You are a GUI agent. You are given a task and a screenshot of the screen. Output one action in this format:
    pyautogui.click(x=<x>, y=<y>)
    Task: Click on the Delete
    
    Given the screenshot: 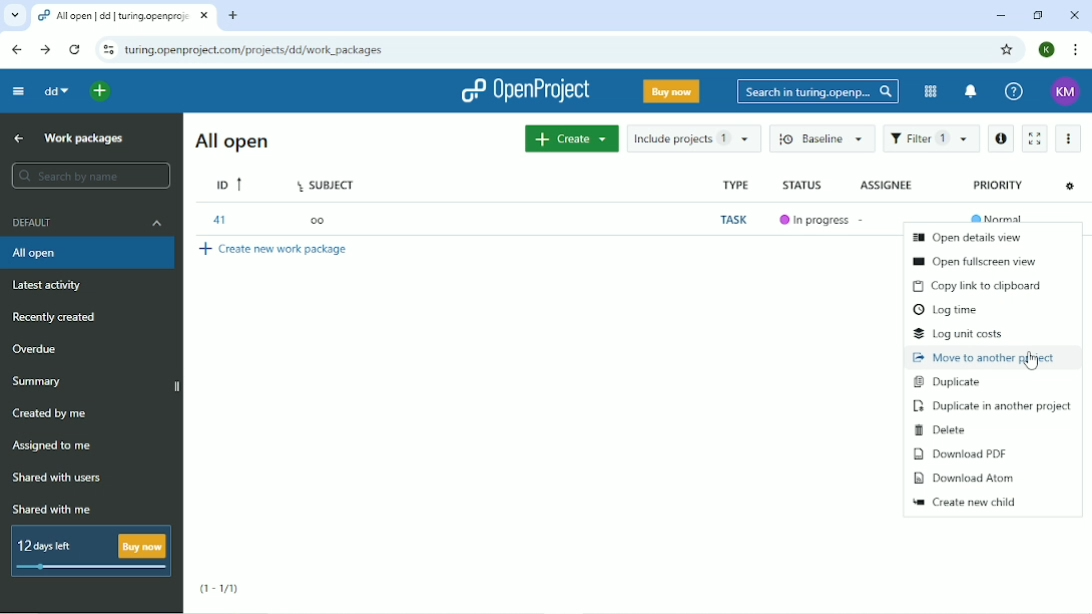 What is the action you would take?
    pyautogui.click(x=944, y=430)
    